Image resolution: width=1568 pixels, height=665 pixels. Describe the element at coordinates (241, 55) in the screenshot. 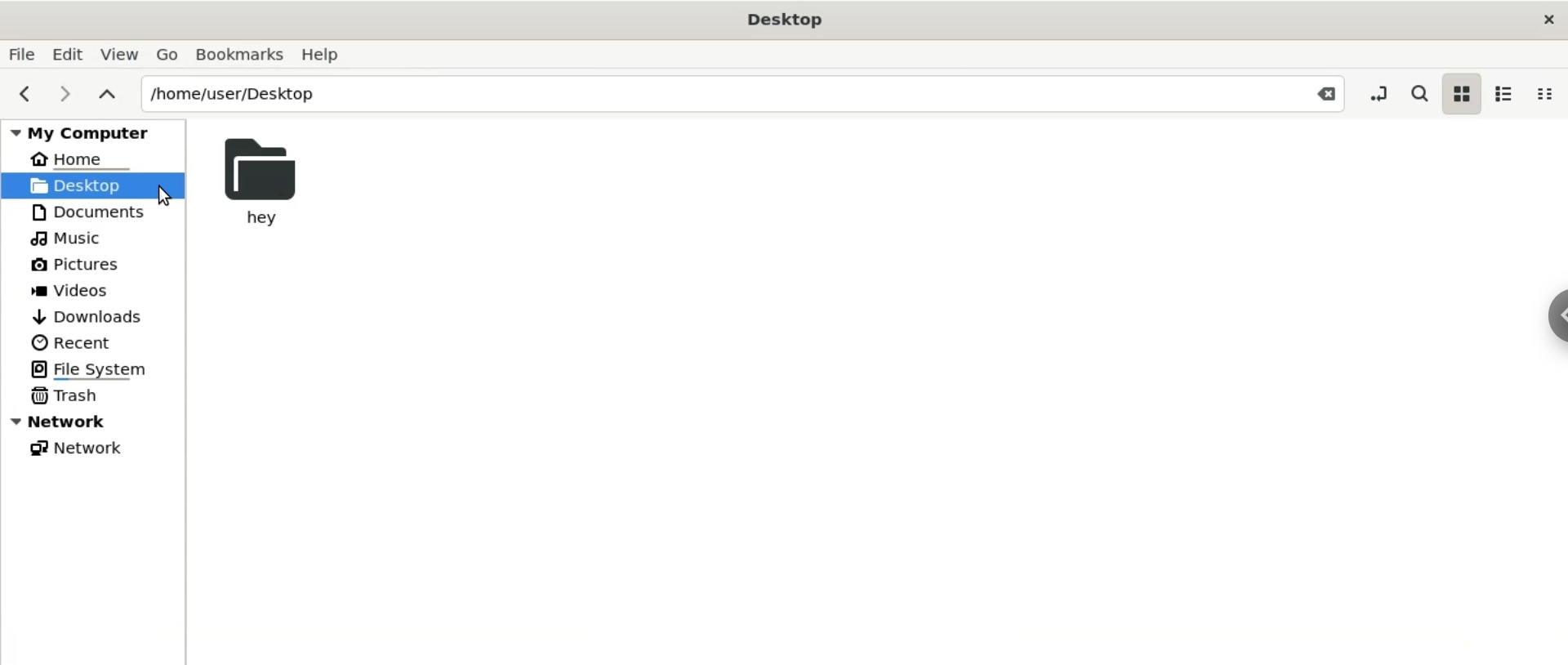

I see `Bookmarks` at that location.